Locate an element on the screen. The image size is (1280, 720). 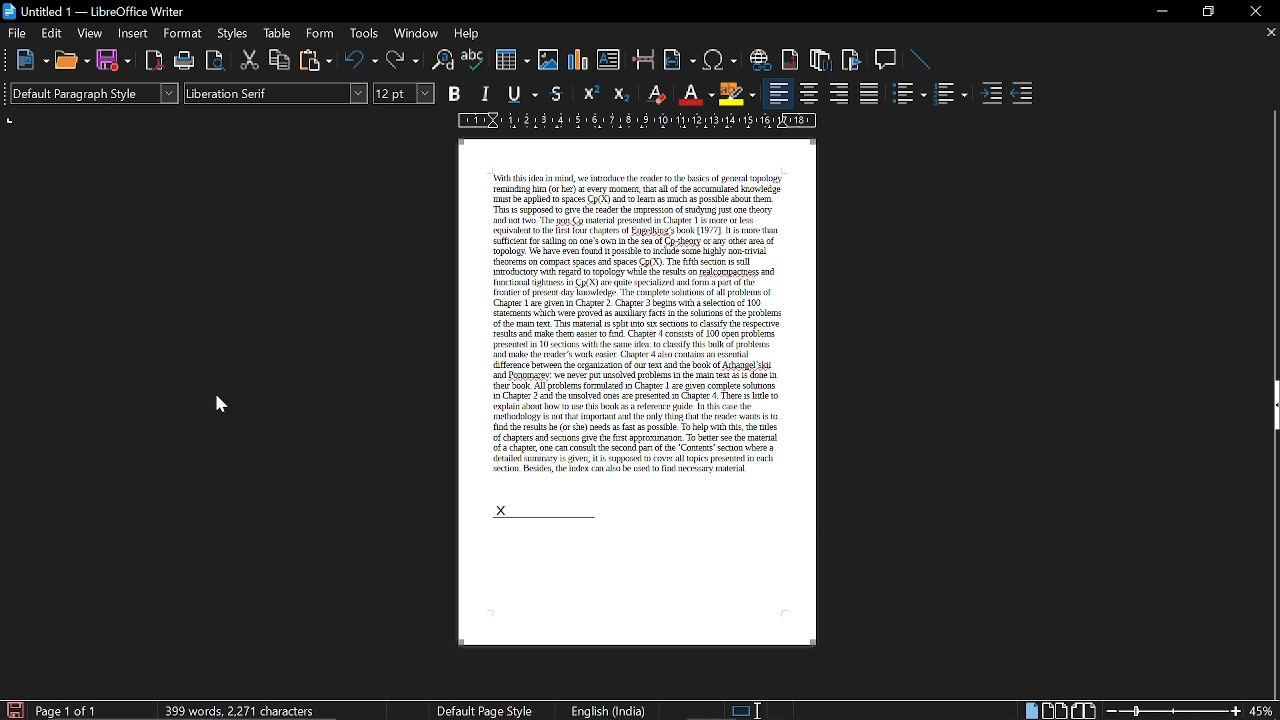
strikethrough is located at coordinates (557, 94).